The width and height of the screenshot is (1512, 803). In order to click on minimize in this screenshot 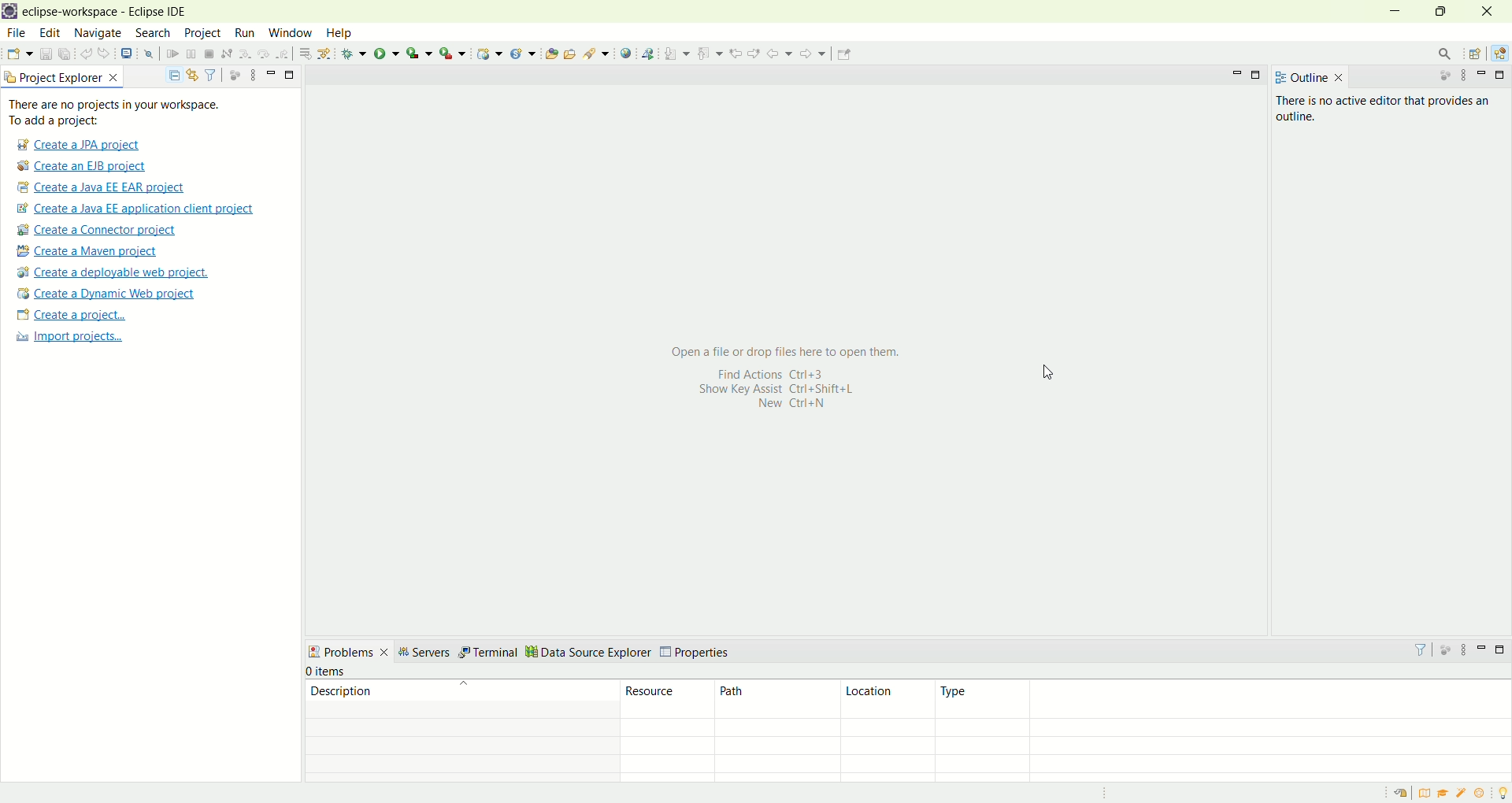, I will do `click(1480, 649)`.